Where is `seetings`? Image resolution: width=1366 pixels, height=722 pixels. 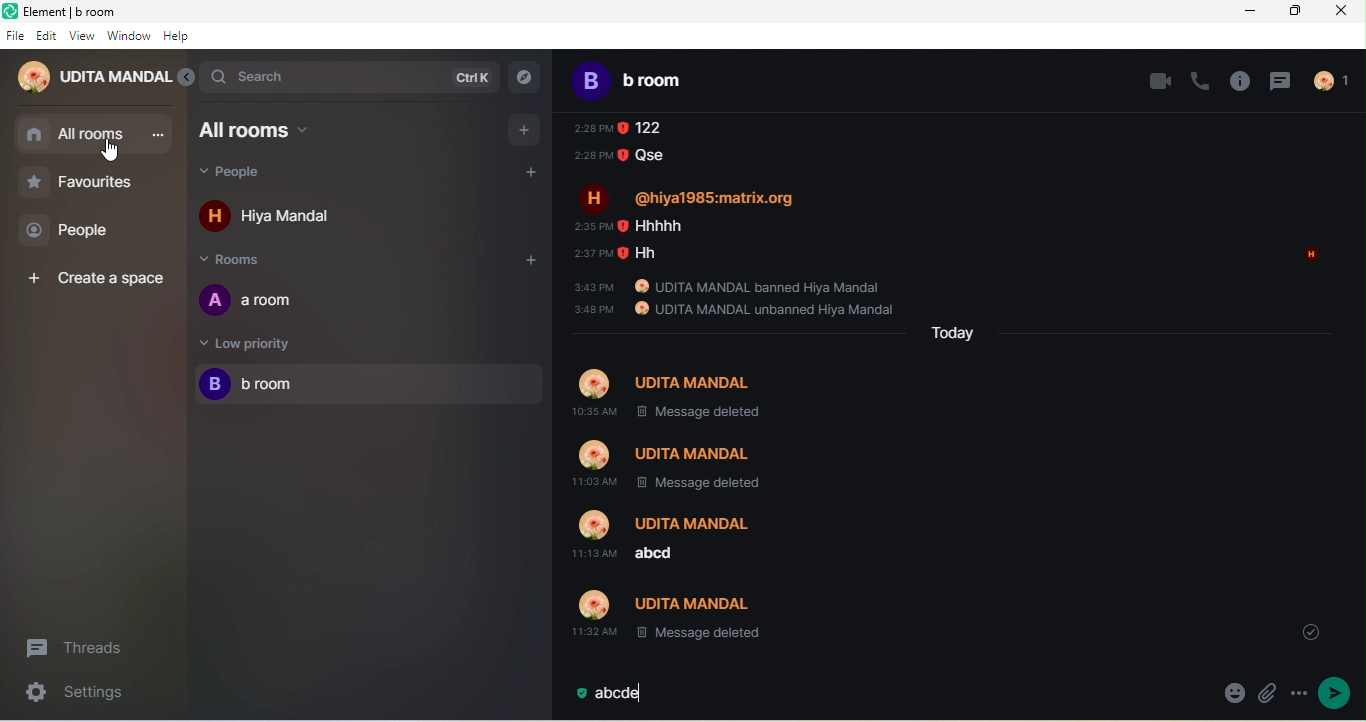
seetings is located at coordinates (88, 695).